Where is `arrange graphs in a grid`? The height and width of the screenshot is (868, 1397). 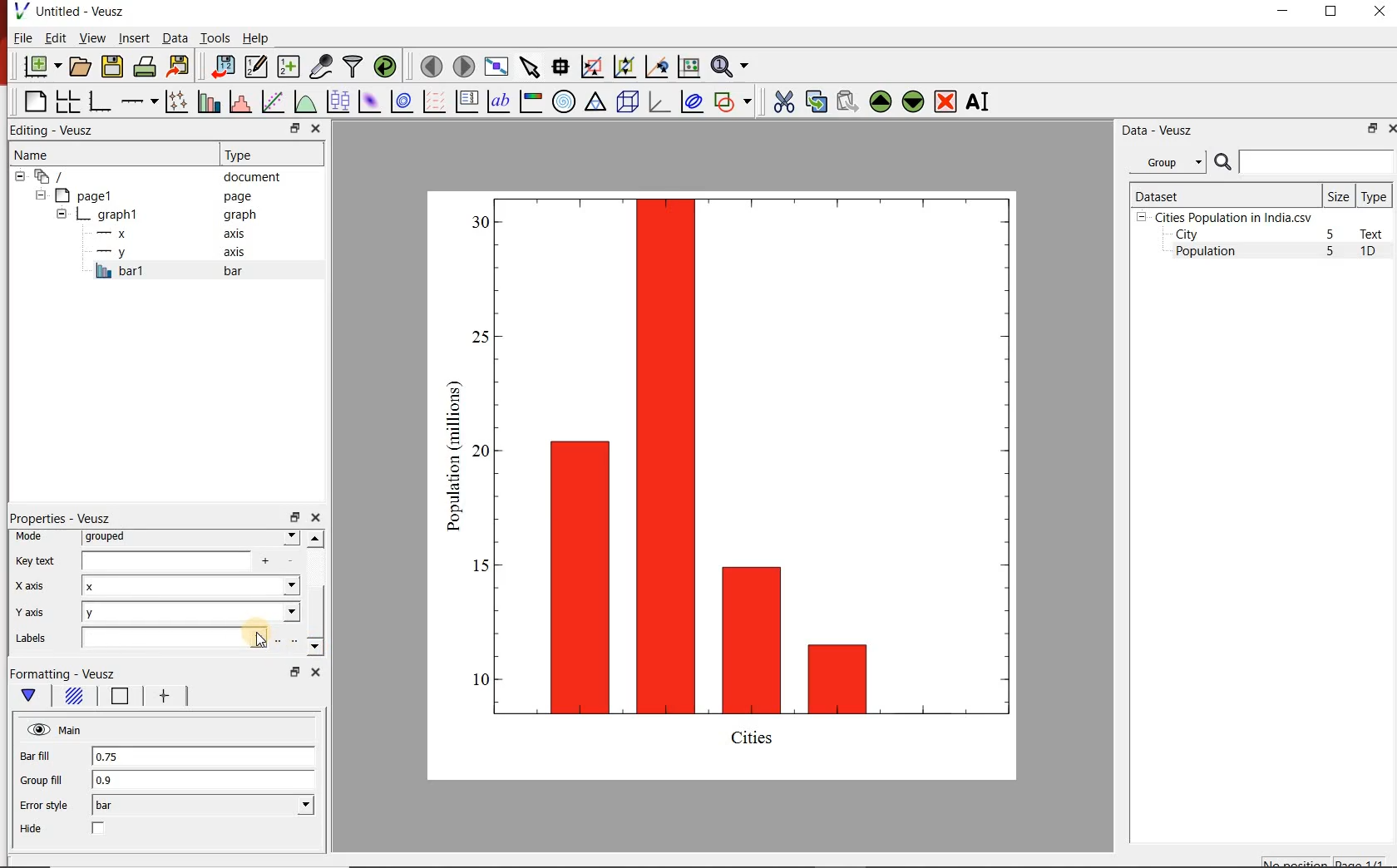 arrange graphs in a grid is located at coordinates (67, 101).